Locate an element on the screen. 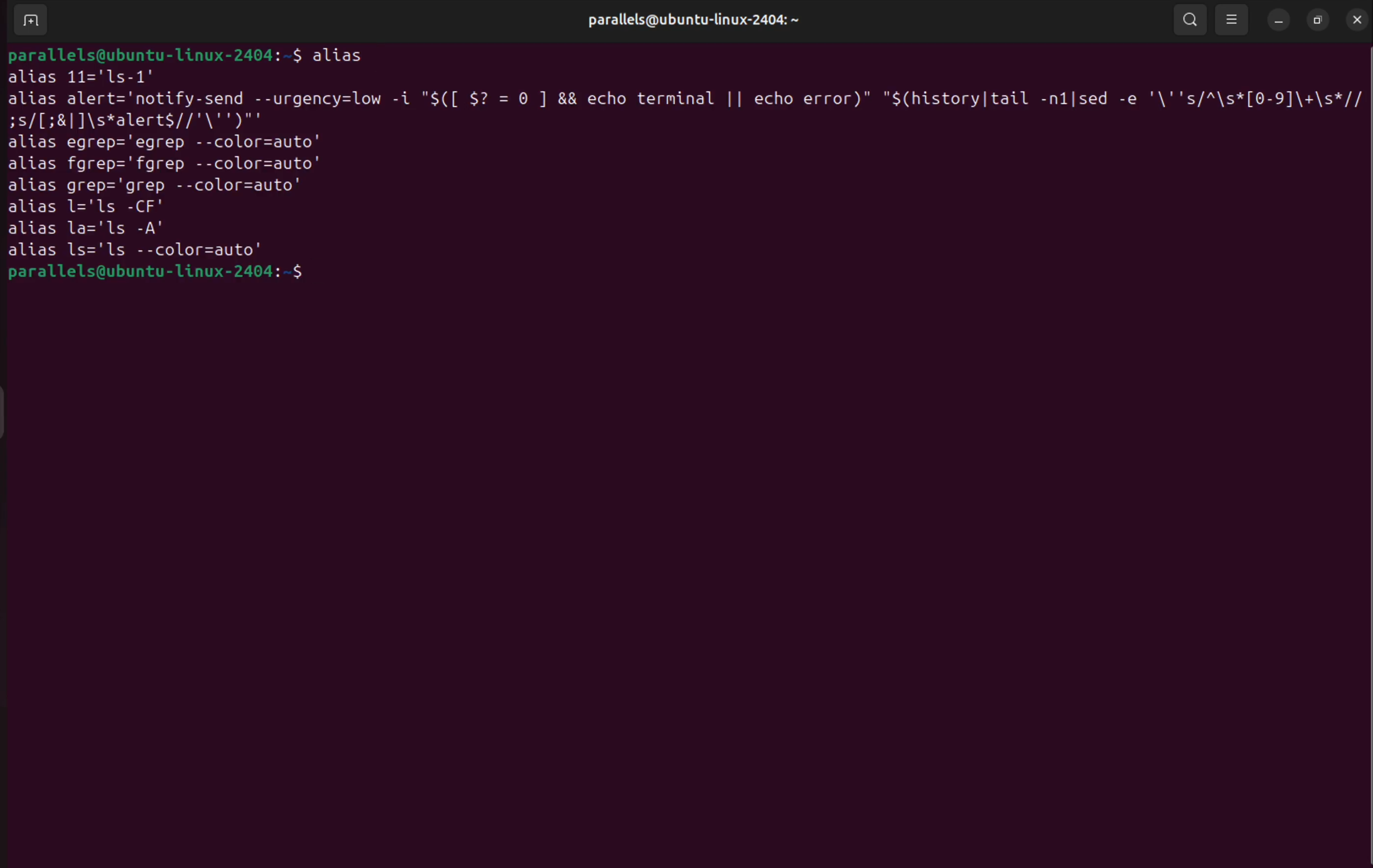 The width and height of the screenshot is (1373, 868). alias grep is located at coordinates (156, 185).